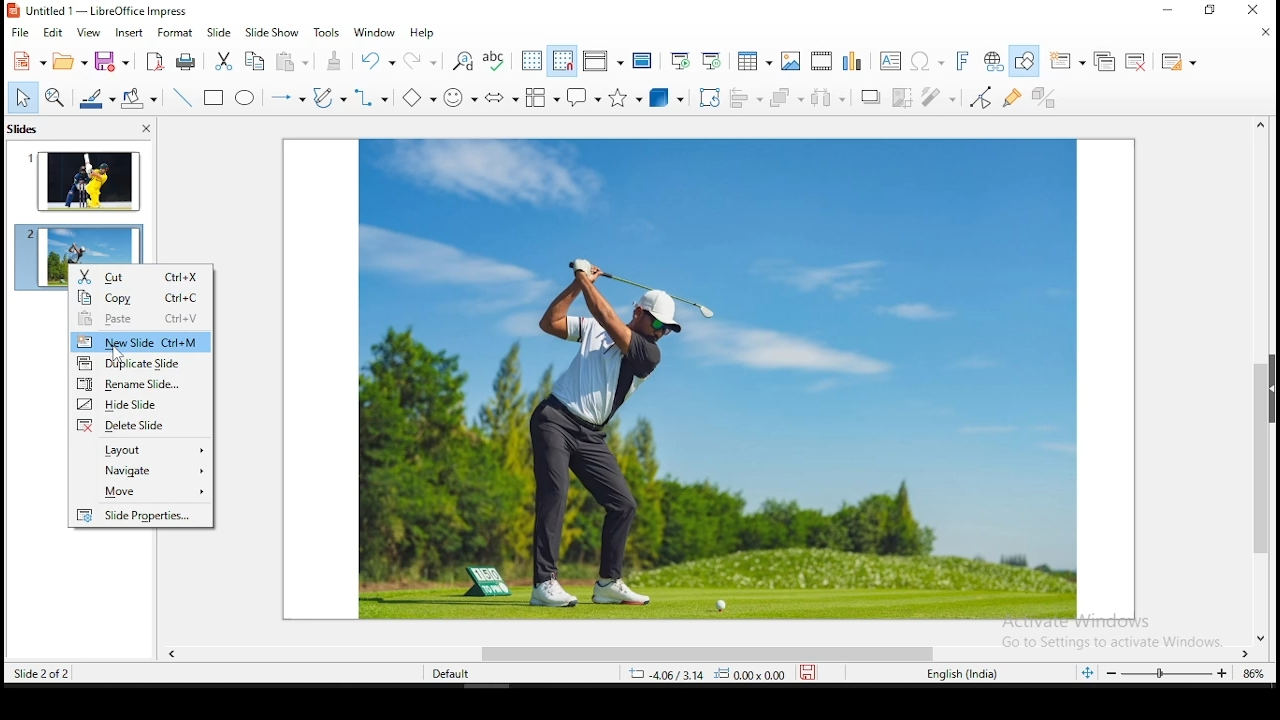 The width and height of the screenshot is (1280, 720). I want to click on untitled 1 — LibreOffice Impress, so click(117, 11).